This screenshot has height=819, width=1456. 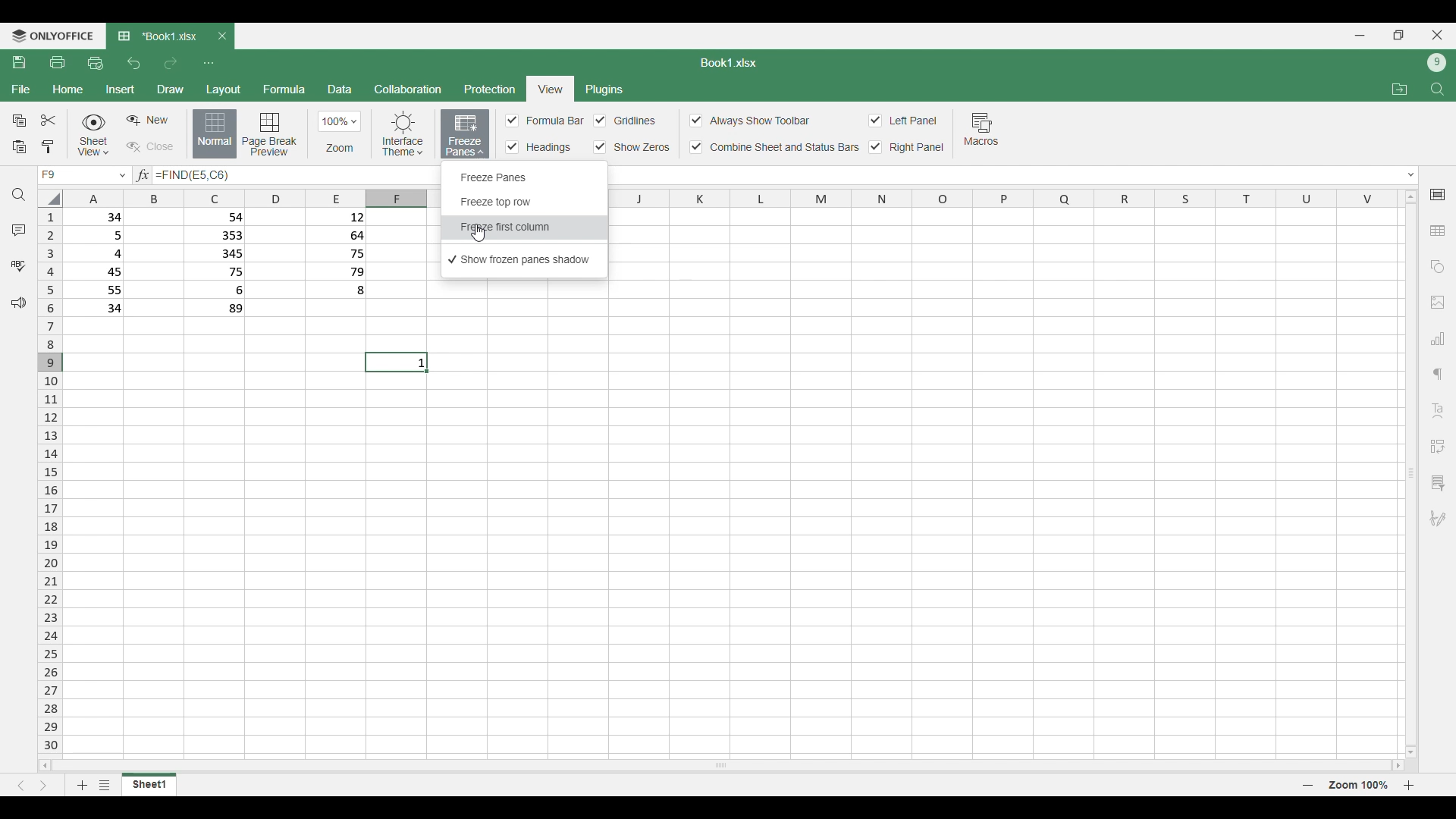 What do you see at coordinates (466, 133) in the screenshot?
I see `Highlighted as current selection` at bounding box center [466, 133].